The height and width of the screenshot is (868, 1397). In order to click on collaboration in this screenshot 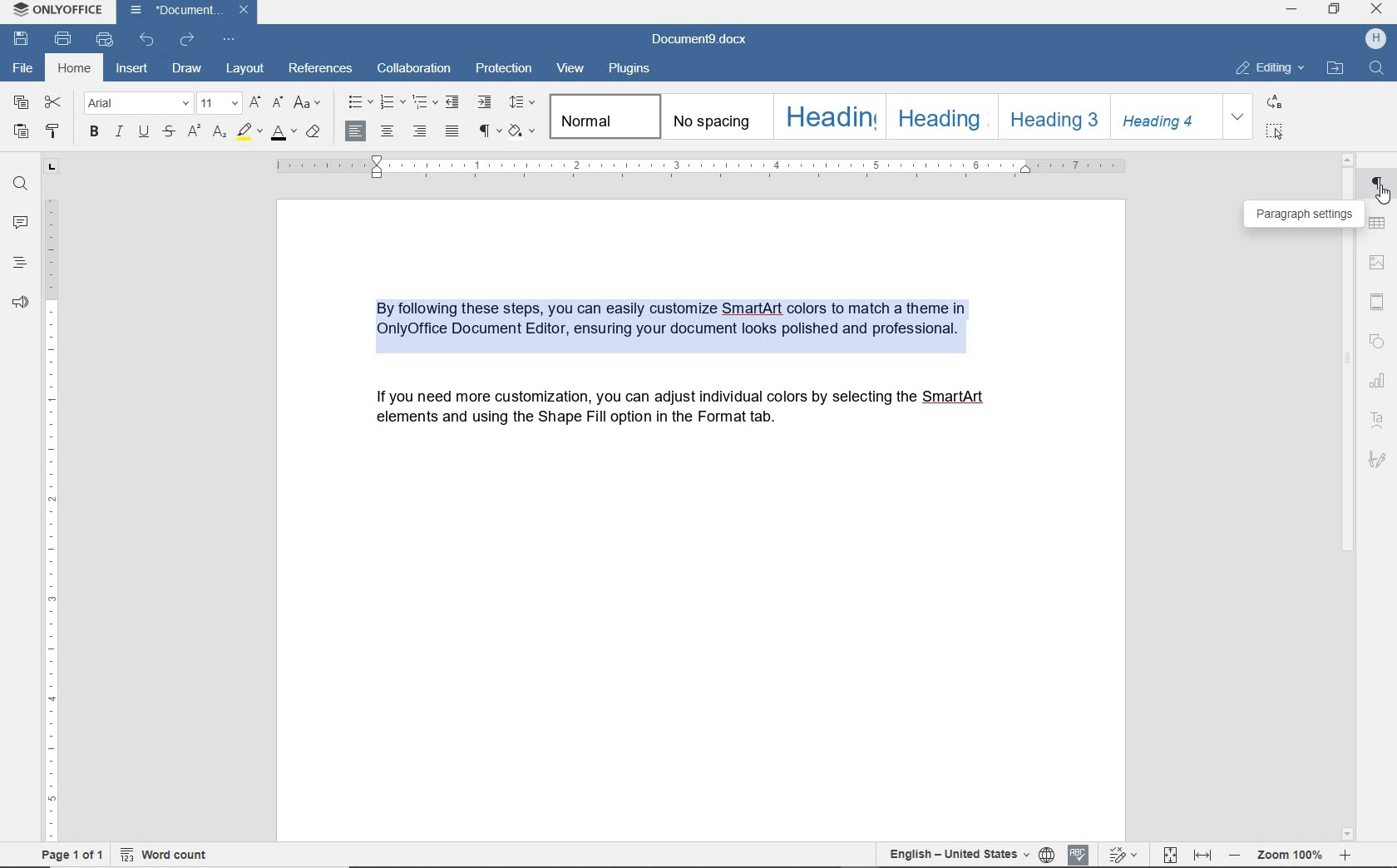, I will do `click(416, 69)`.